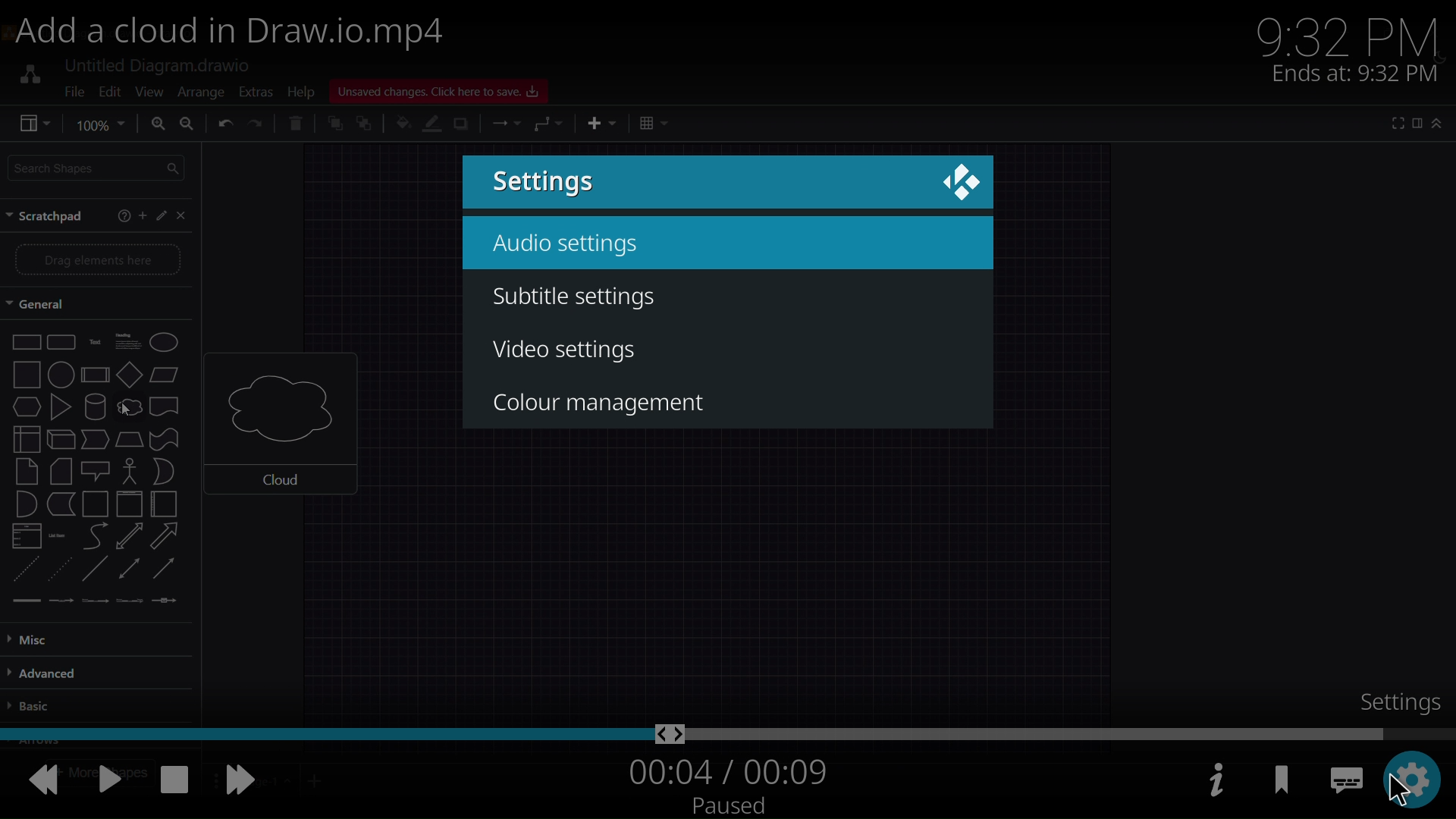 This screenshot has width=1456, height=819. I want to click on Ends at: 9:32 PM, so click(1355, 73).